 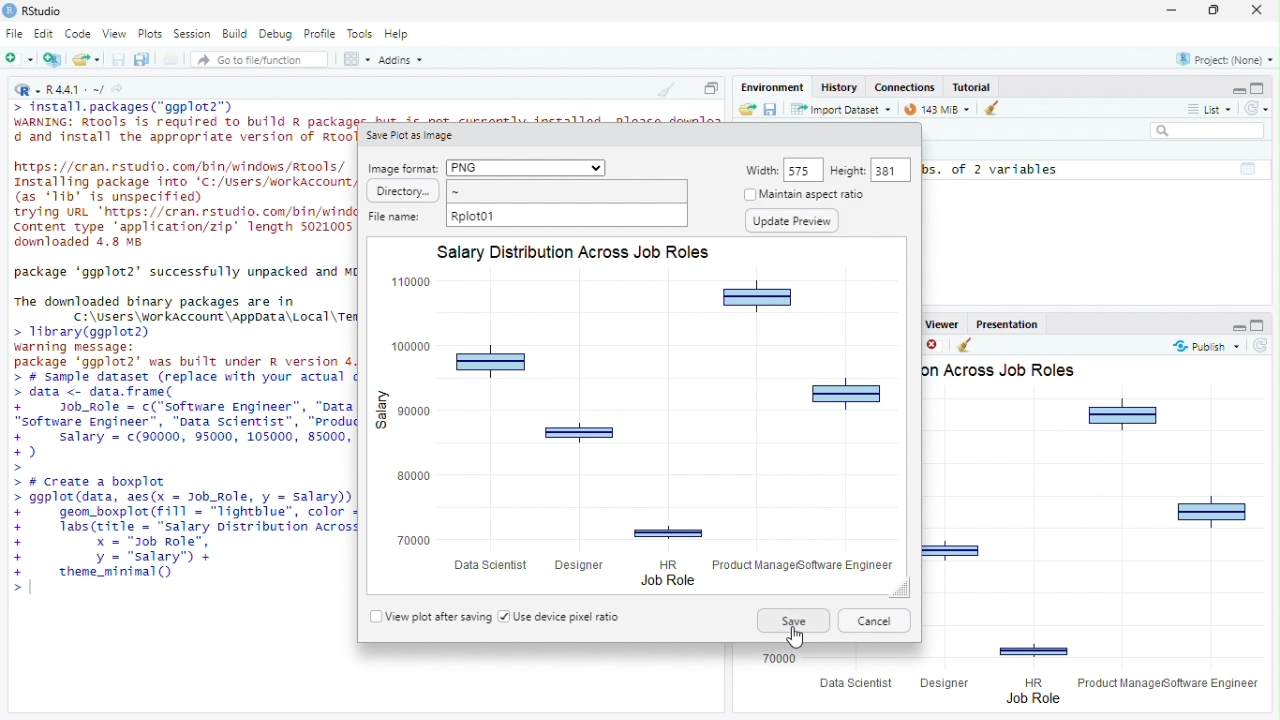 I want to click on save, so click(x=791, y=621).